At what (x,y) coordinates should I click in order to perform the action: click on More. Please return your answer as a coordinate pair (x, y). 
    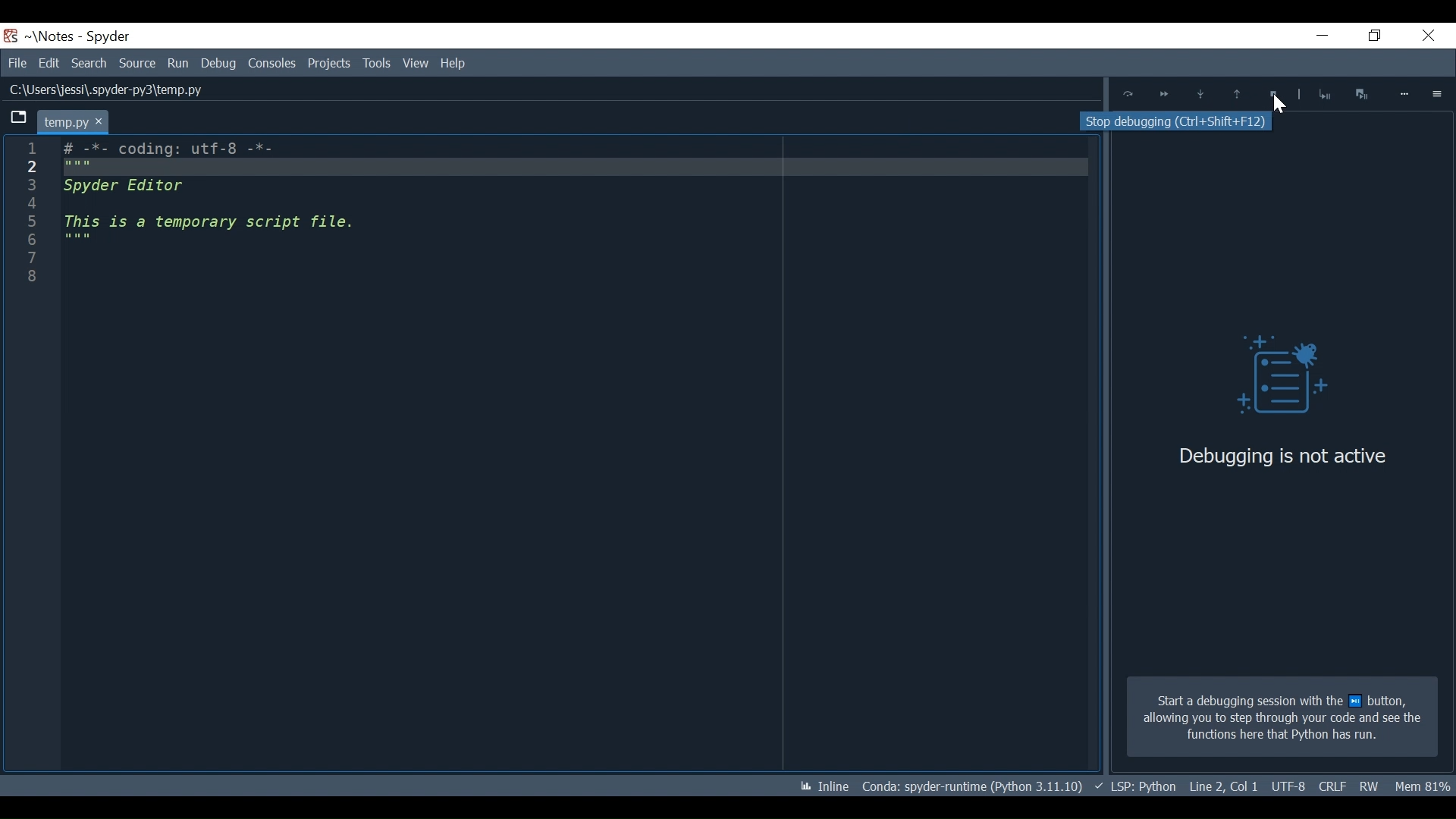
    Looking at the image, I should click on (1405, 94).